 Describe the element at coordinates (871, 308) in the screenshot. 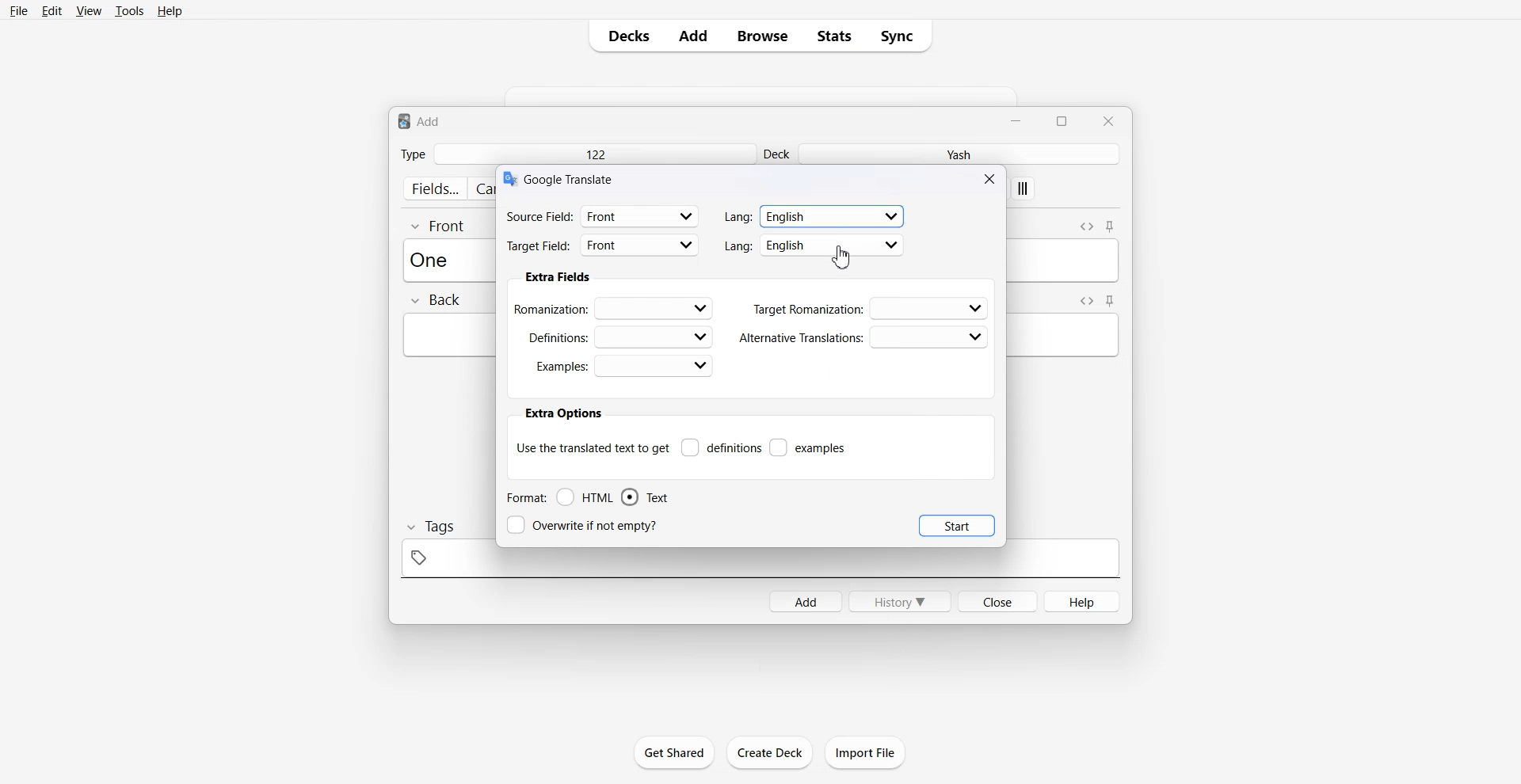

I see `Target Romanization` at that location.